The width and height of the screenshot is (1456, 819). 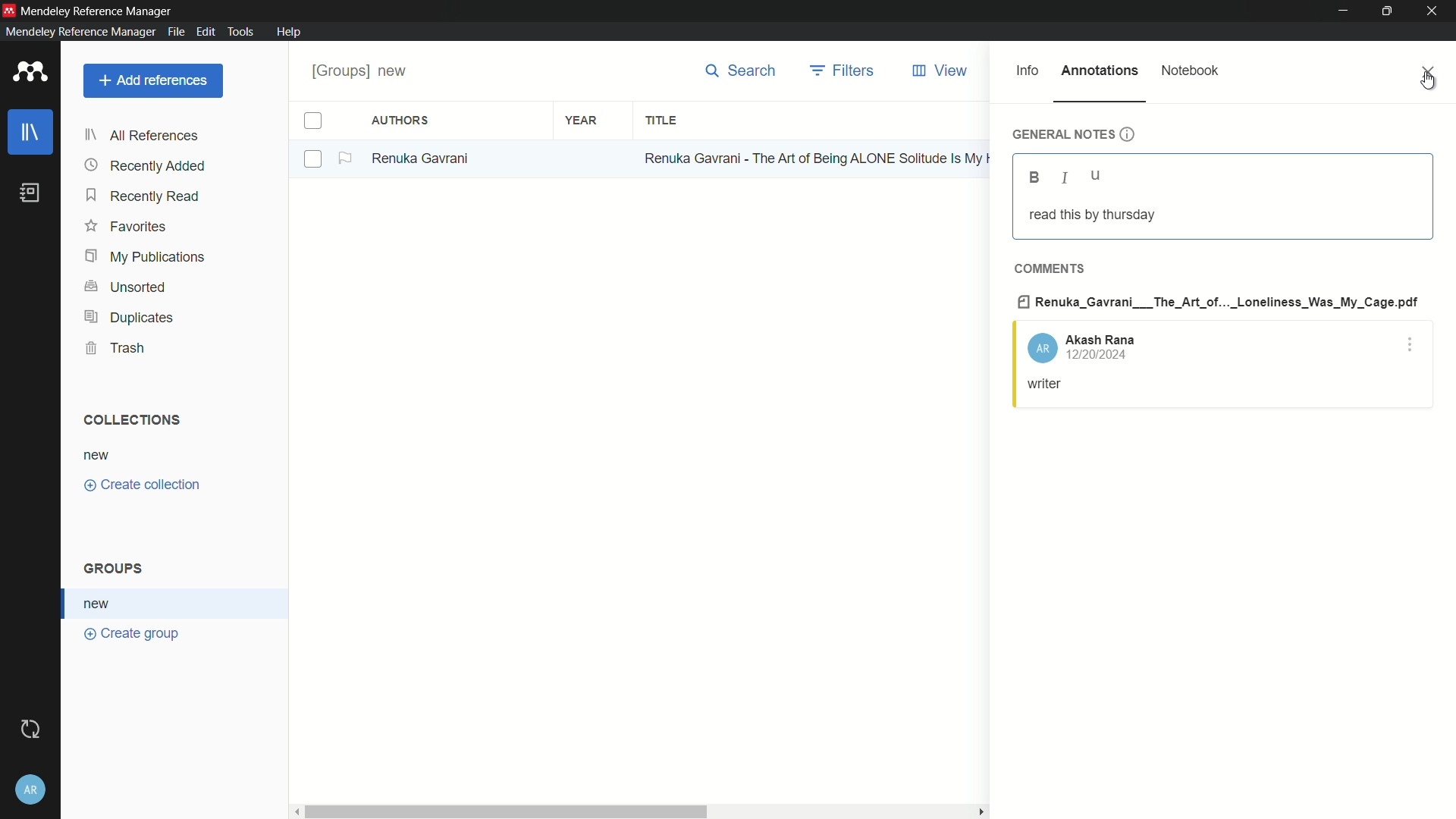 I want to click on underline, so click(x=1097, y=177).